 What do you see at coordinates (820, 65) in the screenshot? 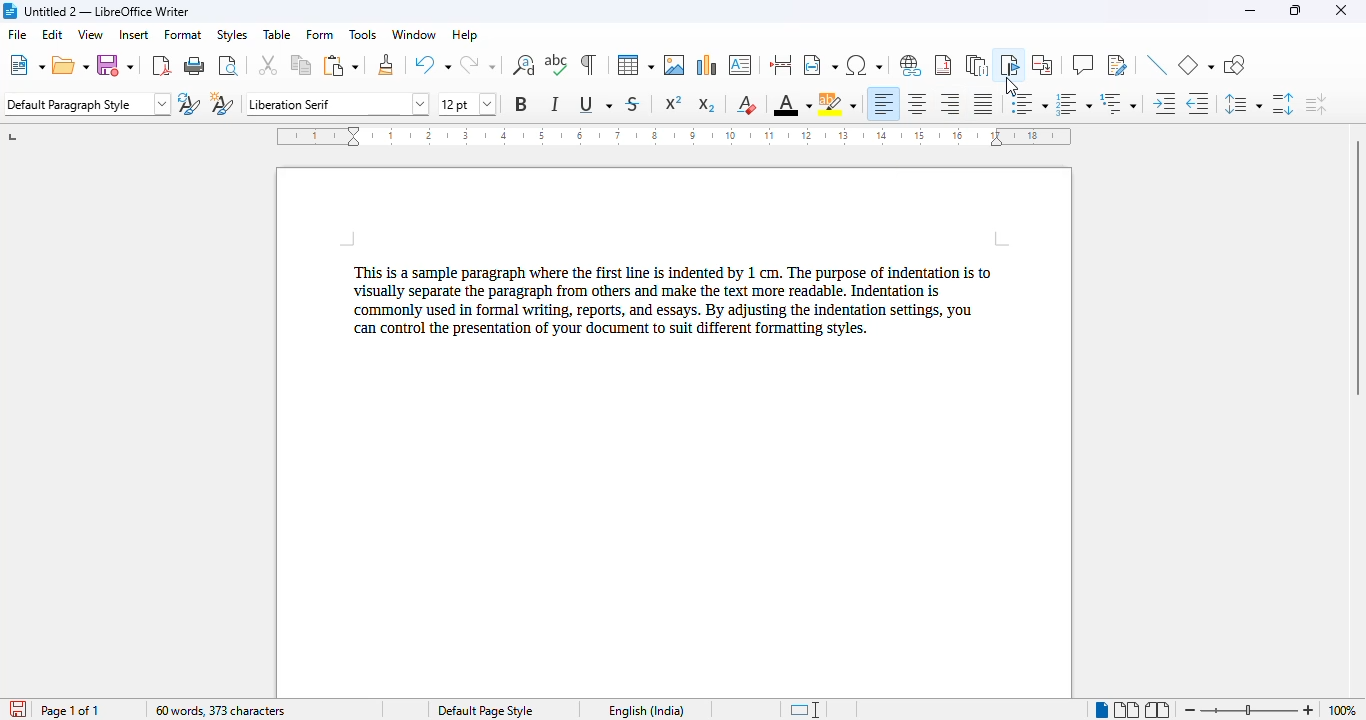
I see `insert field` at bounding box center [820, 65].